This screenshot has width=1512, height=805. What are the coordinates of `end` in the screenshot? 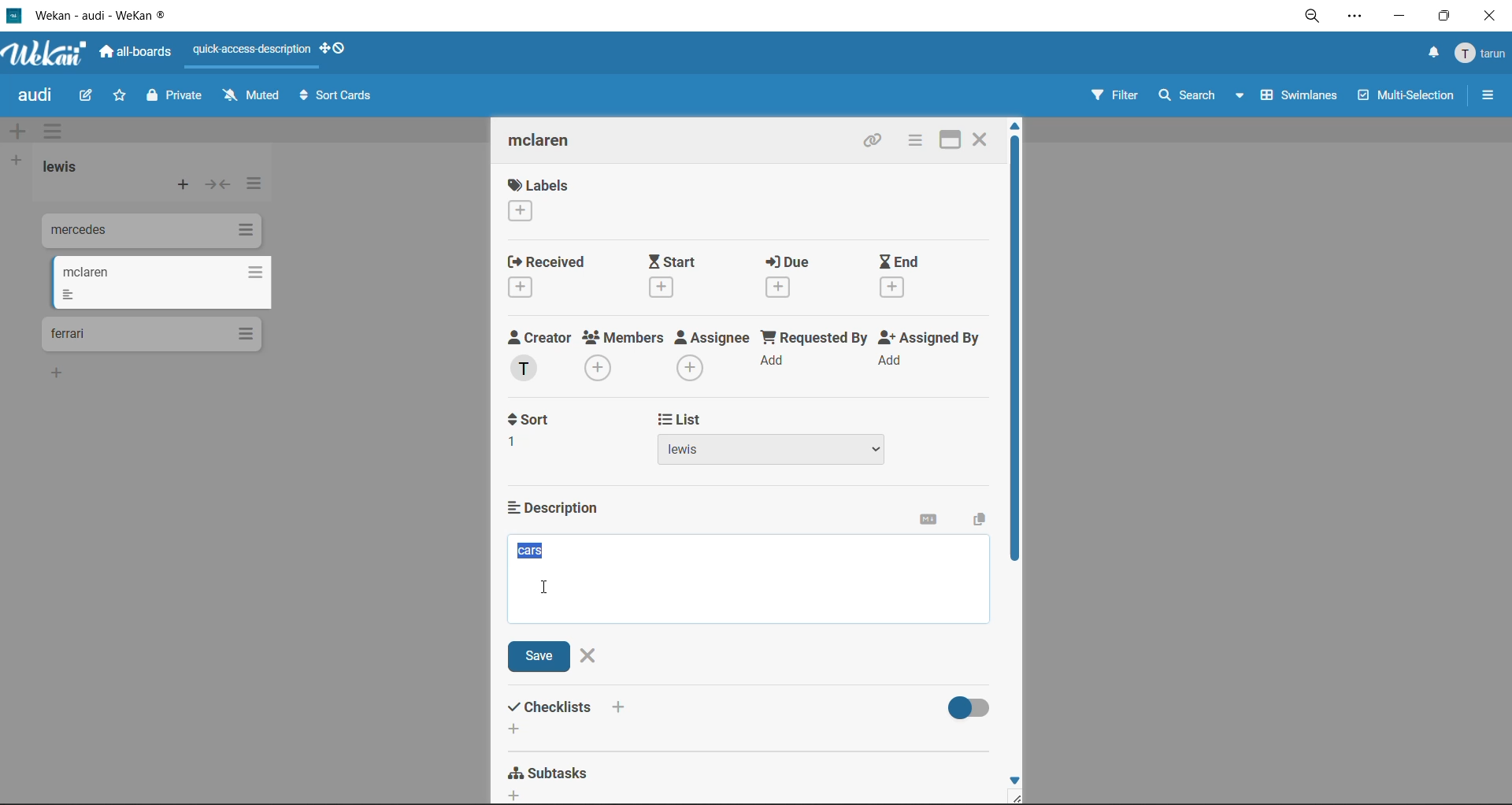 It's located at (915, 278).